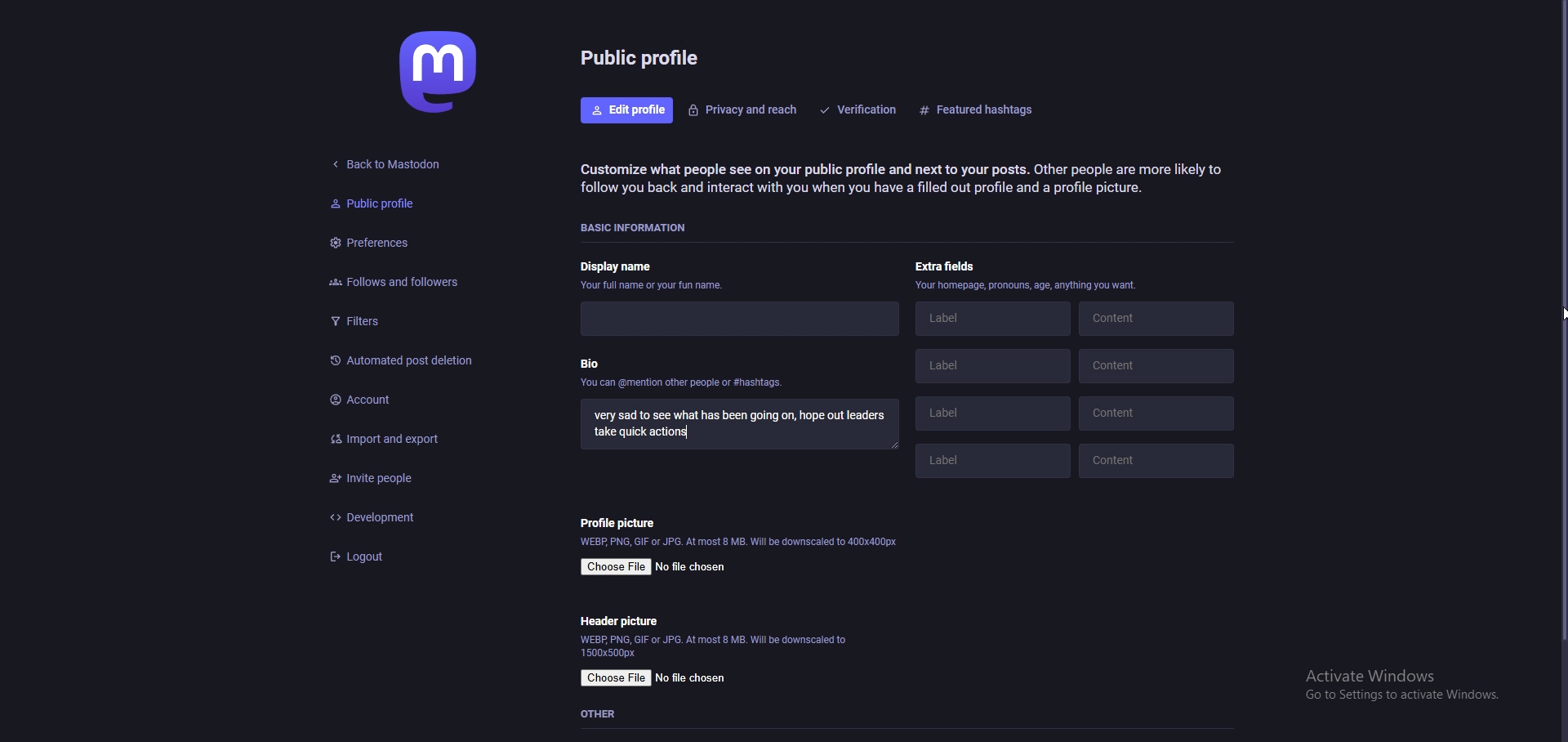 The image size is (1568, 742). Describe the element at coordinates (690, 568) in the screenshot. I see `no file chosen` at that location.